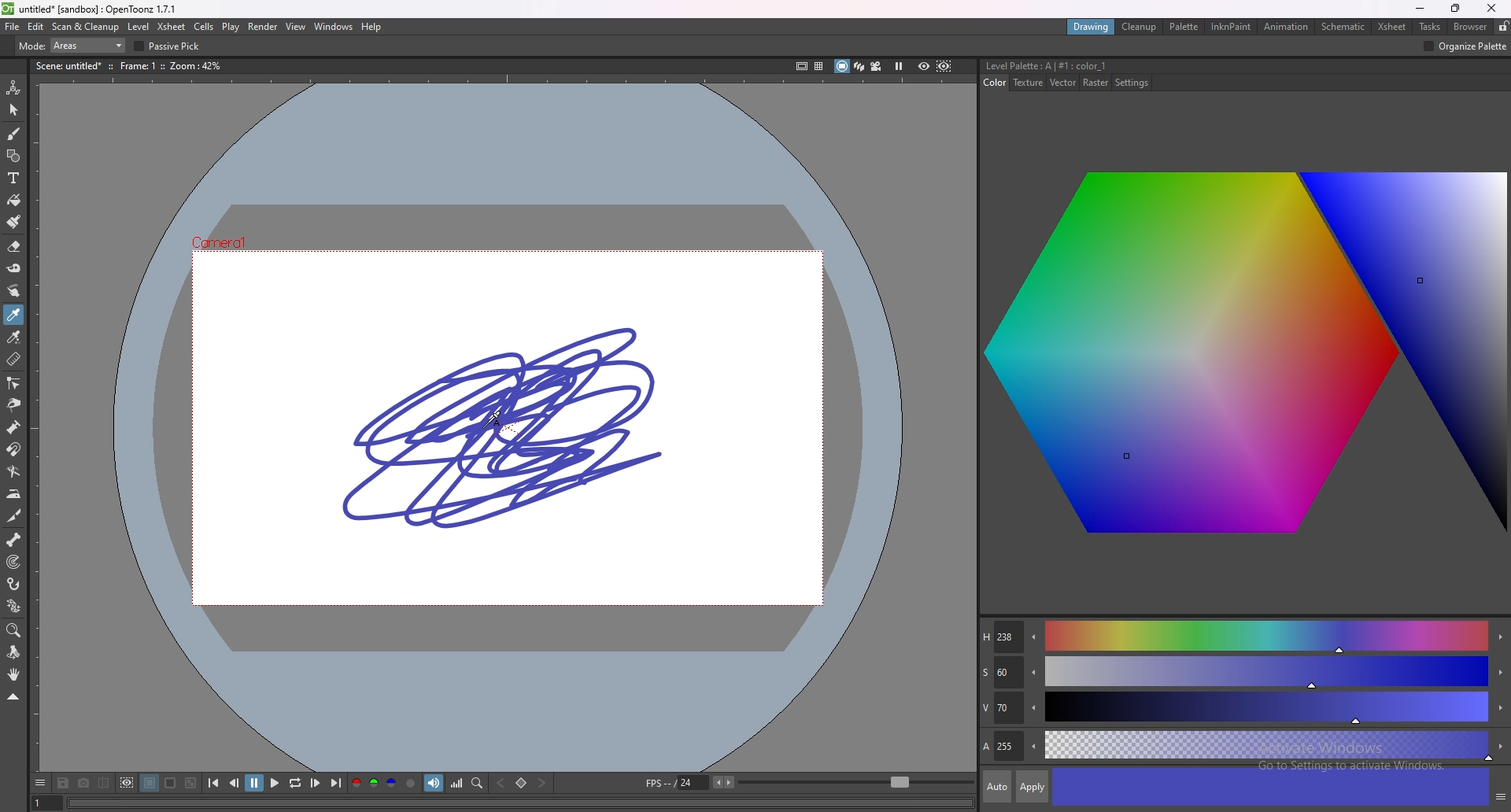 This screenshot has height=812, width=1511. What do you see at coordinates (1049, 65) in the screenshot?
I see `title` at bounding box center [1049, 65].